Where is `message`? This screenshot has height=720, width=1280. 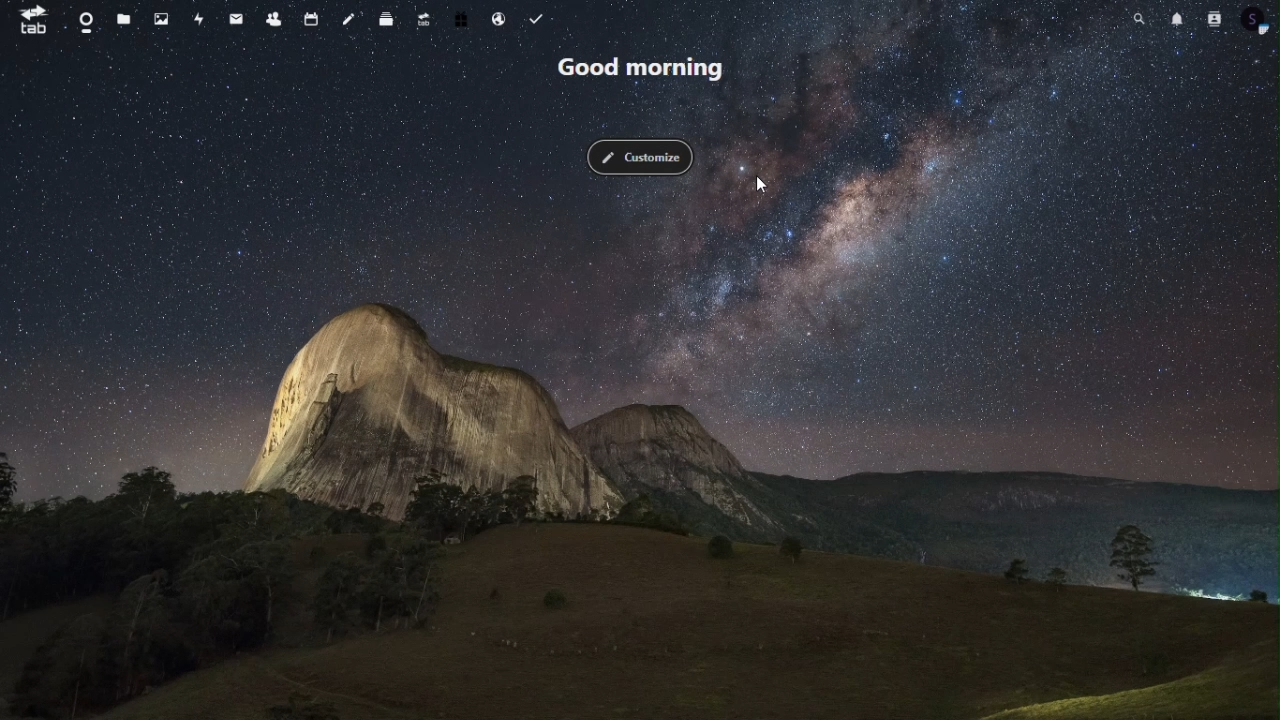
message is located at coordinates (234, 19).